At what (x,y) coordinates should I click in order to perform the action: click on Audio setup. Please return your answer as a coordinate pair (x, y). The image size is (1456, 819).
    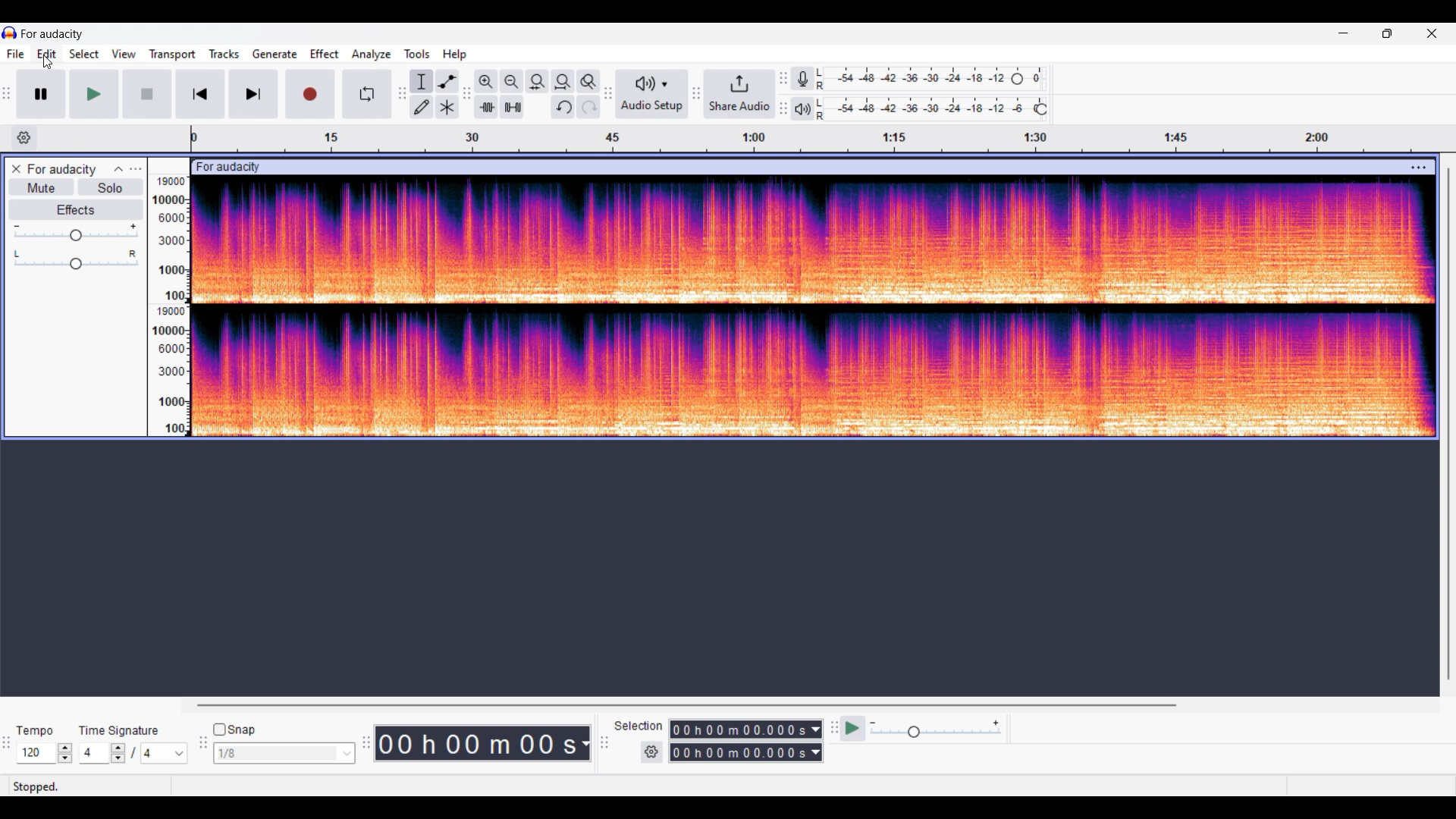
    Looking at the image, I should click on (652, 93).